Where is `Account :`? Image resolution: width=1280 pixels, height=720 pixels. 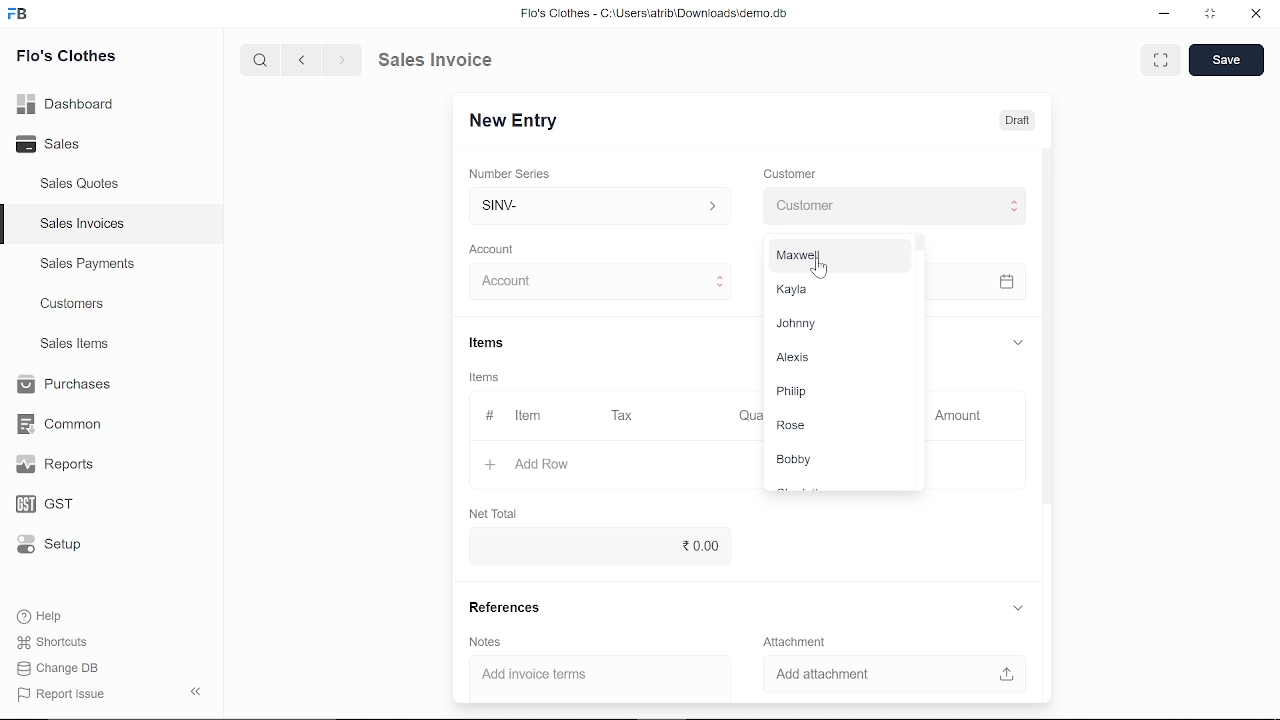
Account : is located at coordinates (595, 282).